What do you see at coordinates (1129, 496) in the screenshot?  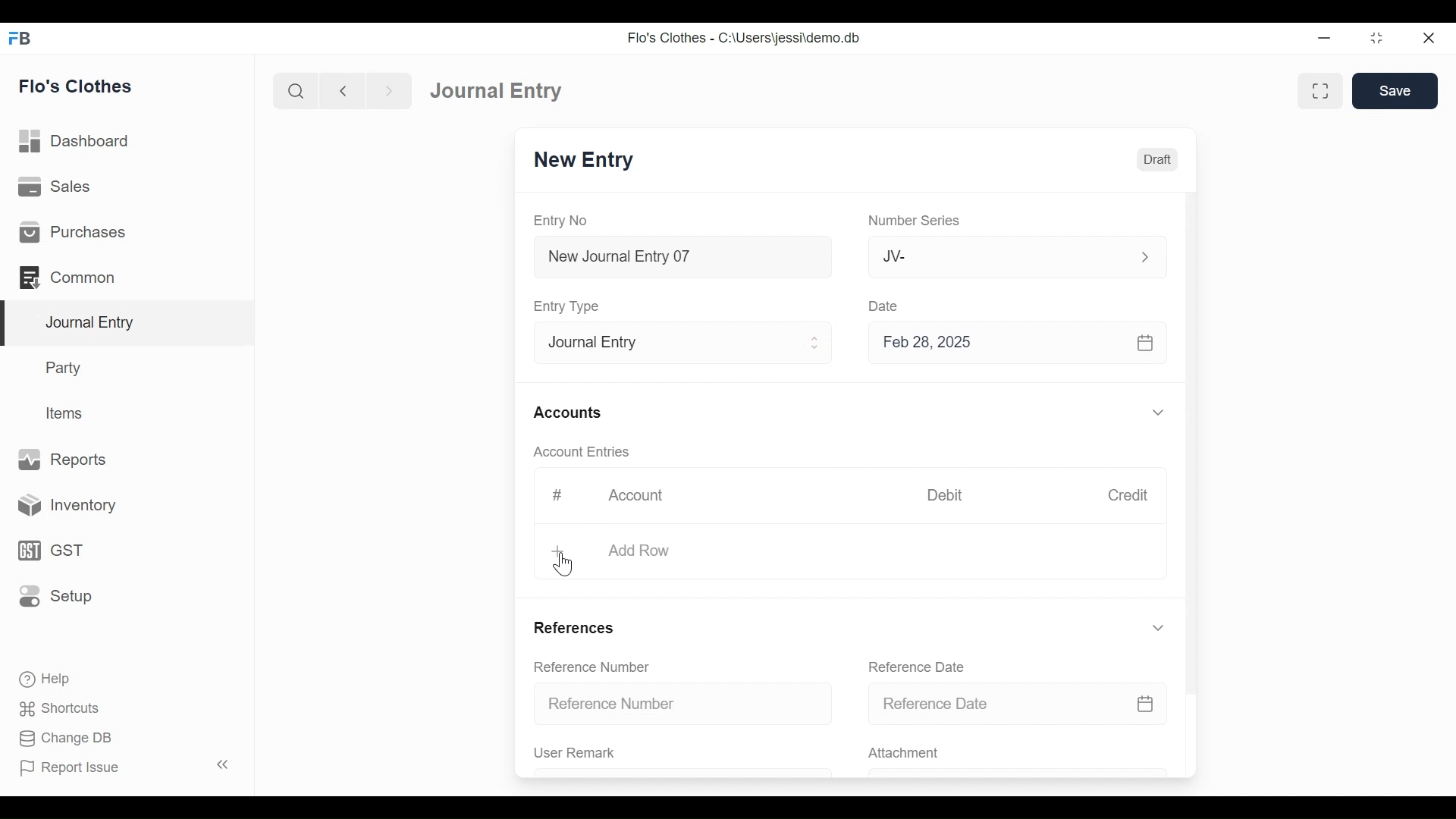 I see `Credit` at bounding box center [1129, 496].